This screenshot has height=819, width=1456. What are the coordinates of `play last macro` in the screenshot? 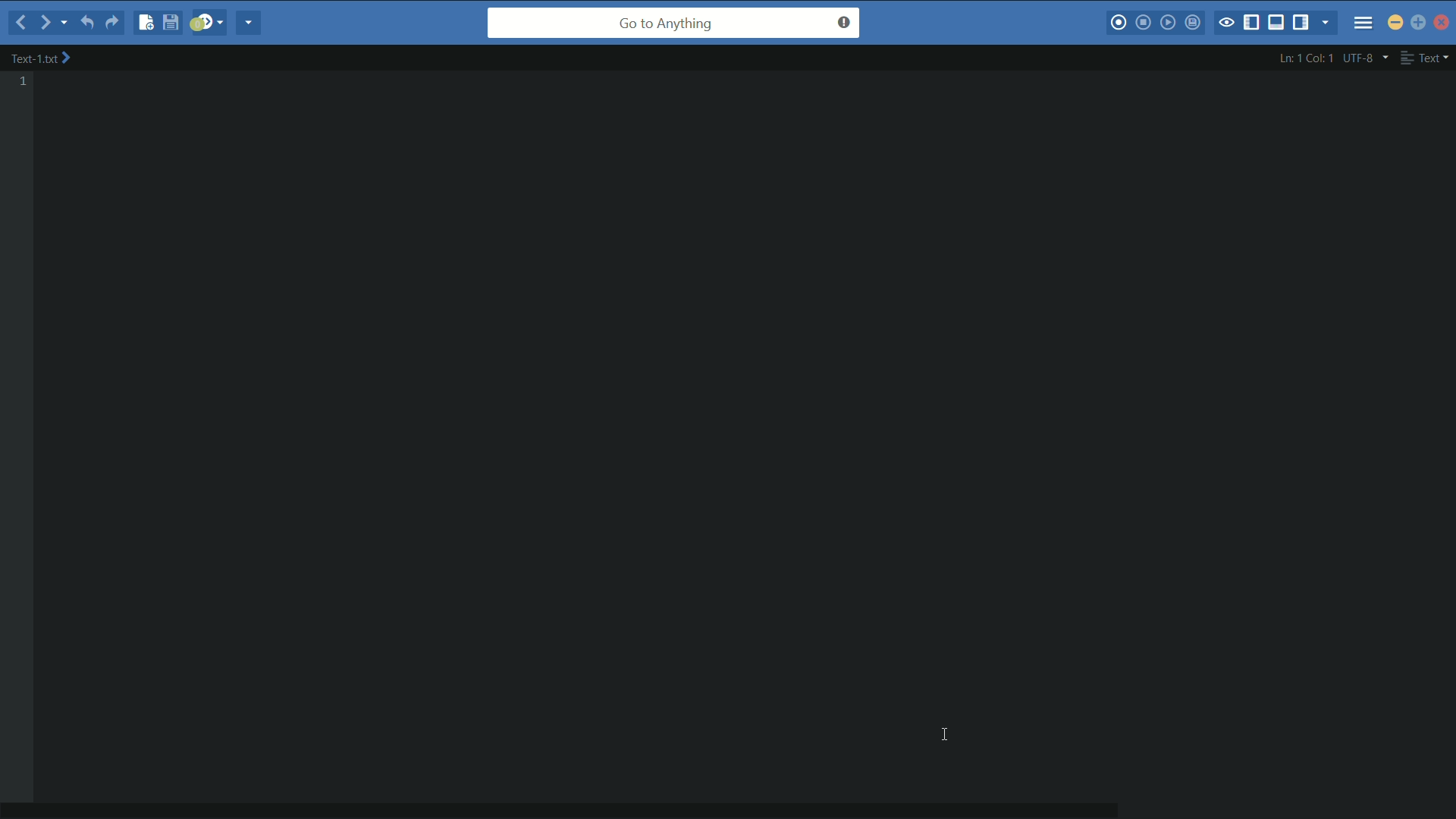 It's located at (1168, 23).